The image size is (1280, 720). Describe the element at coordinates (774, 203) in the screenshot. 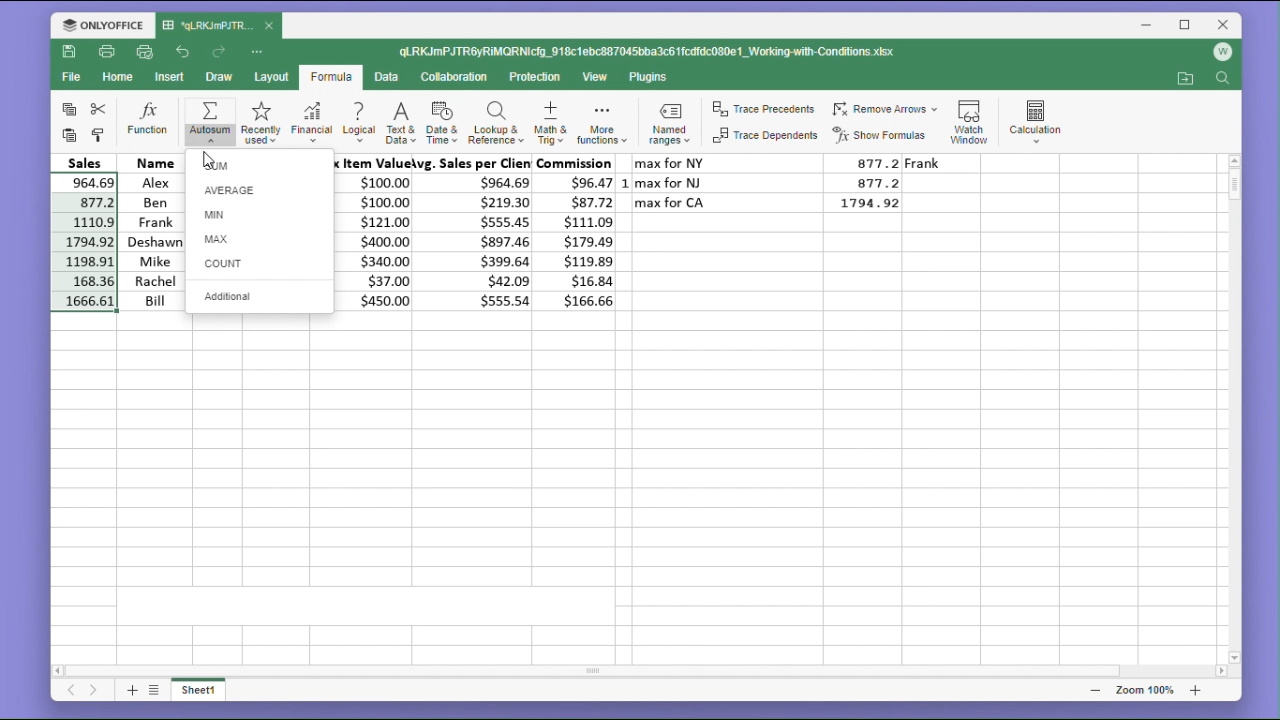

I see `max for CA 1794.92` at that location.